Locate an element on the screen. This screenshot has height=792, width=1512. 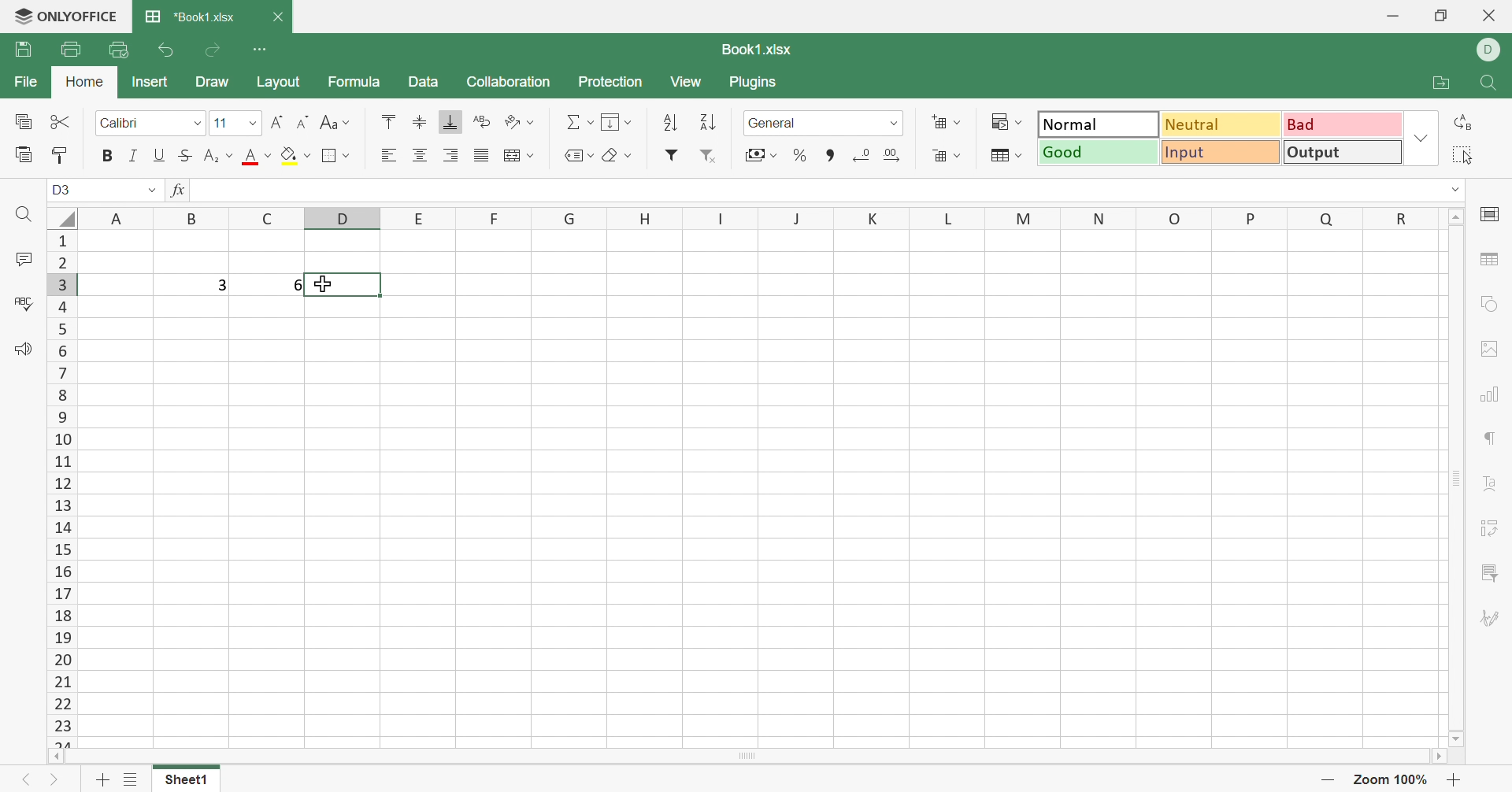
Paste is located at coordinates (24, 157).